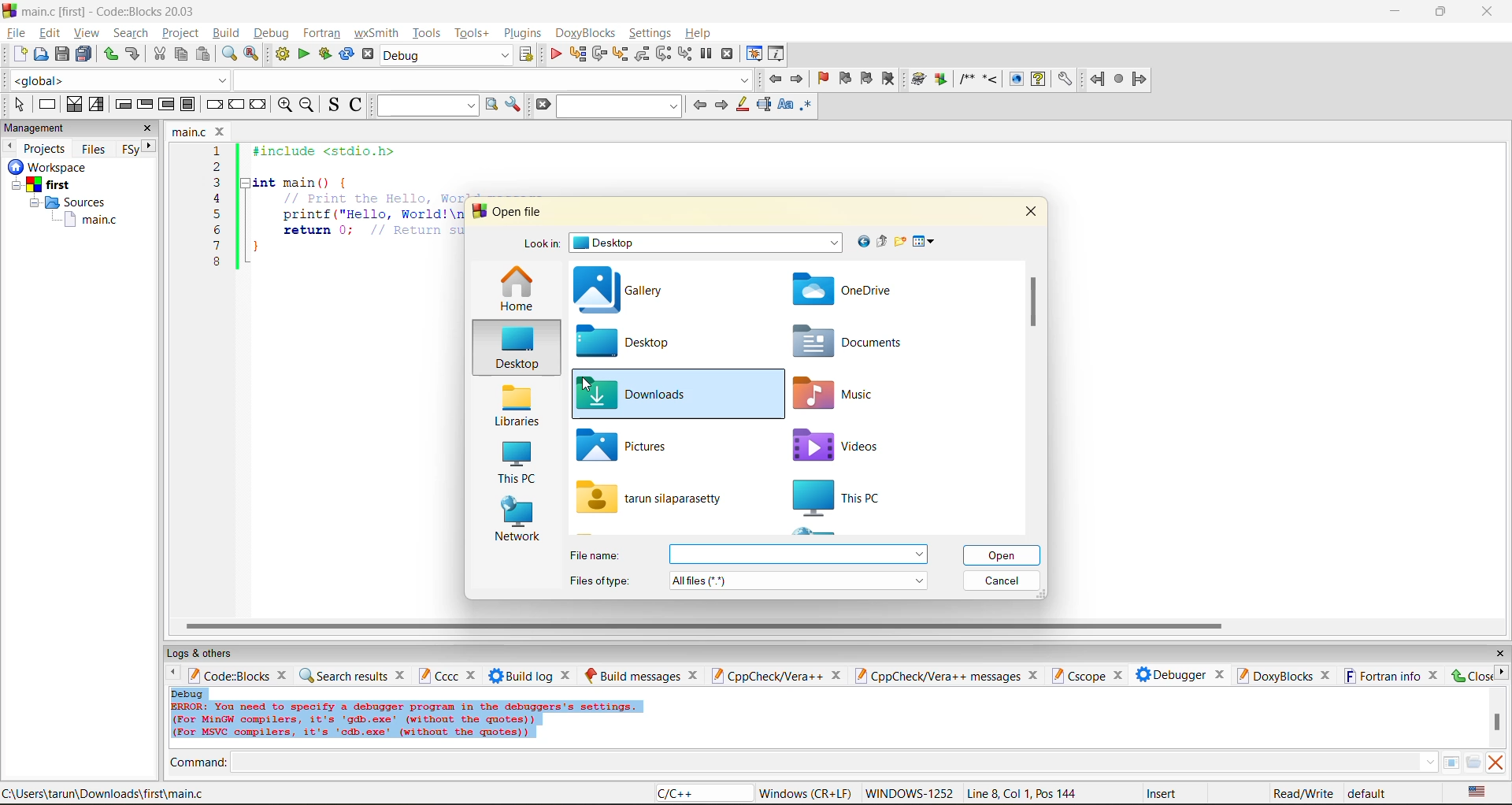  I want to click on build and run, so click(325, 54).